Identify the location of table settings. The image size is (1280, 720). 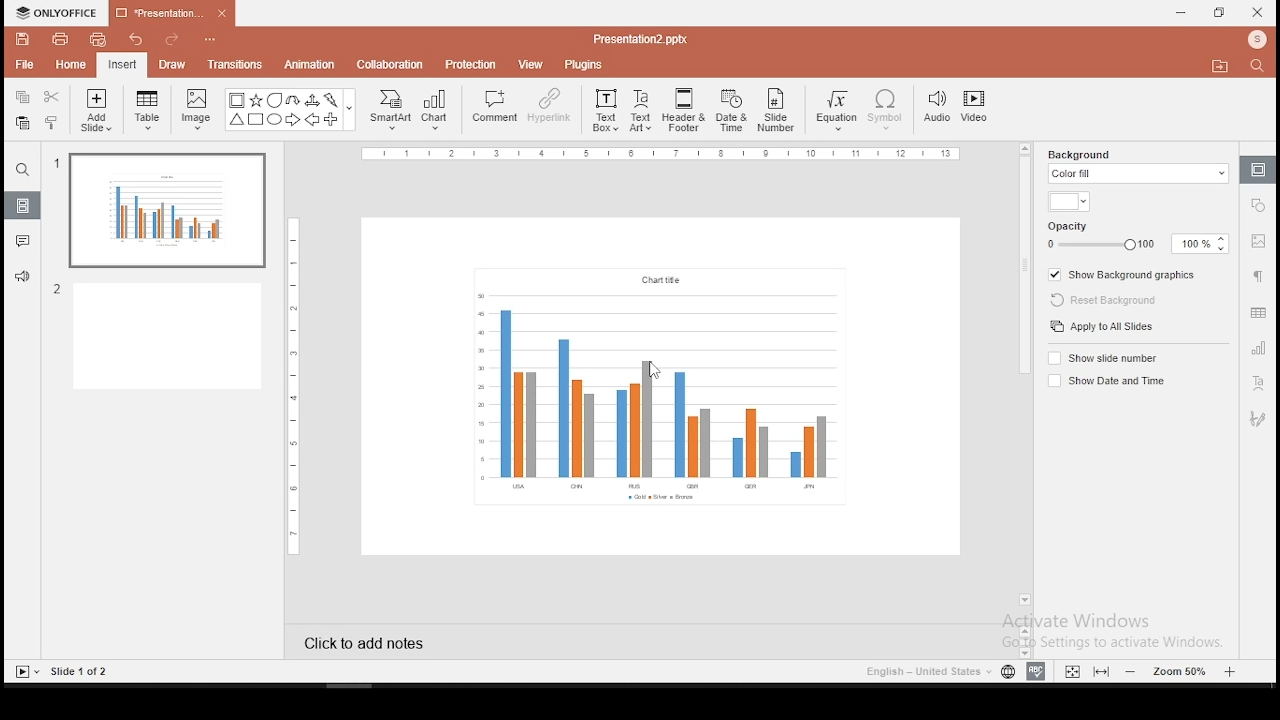
(1257, 310).